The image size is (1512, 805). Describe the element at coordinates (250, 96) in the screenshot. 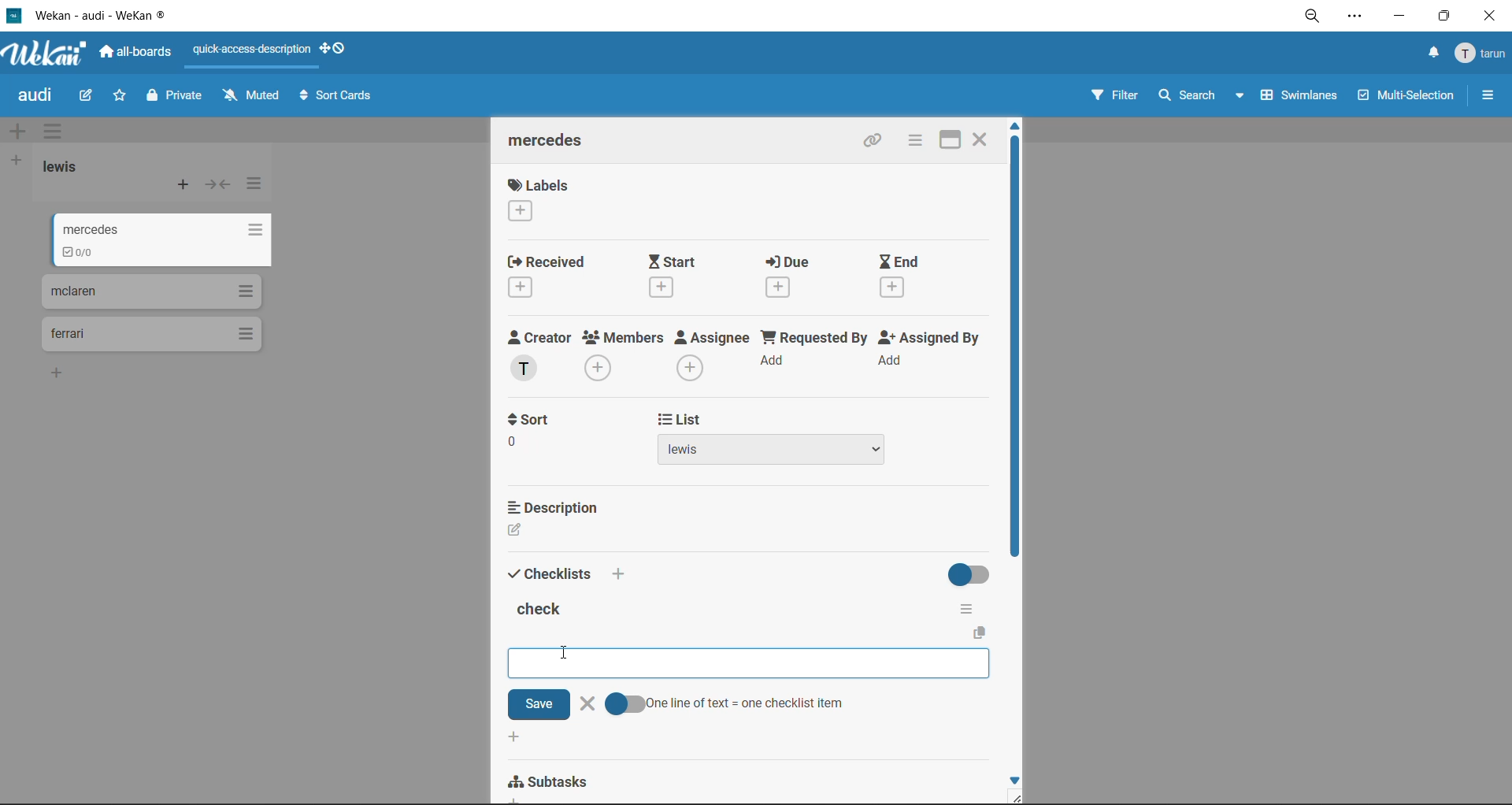

I see `muted` at that location.